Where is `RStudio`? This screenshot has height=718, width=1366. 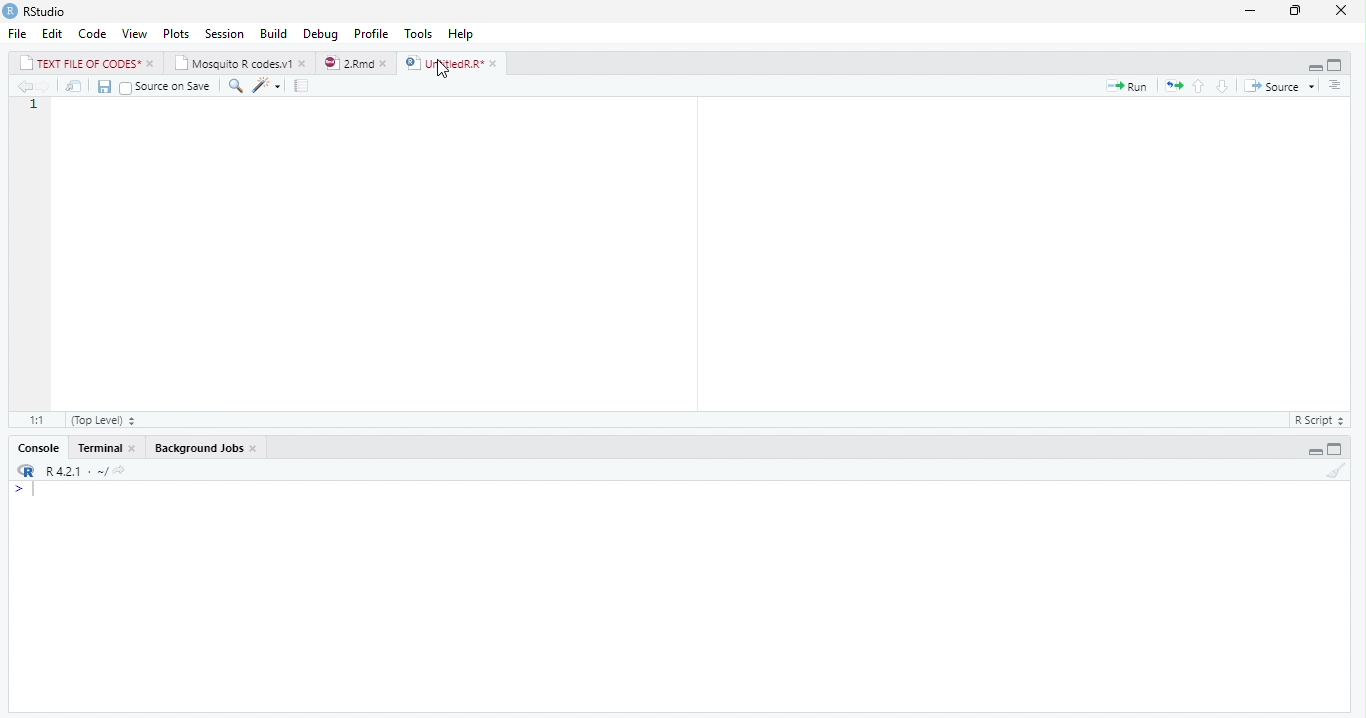
RStudio is located at coordinates (36, 11).